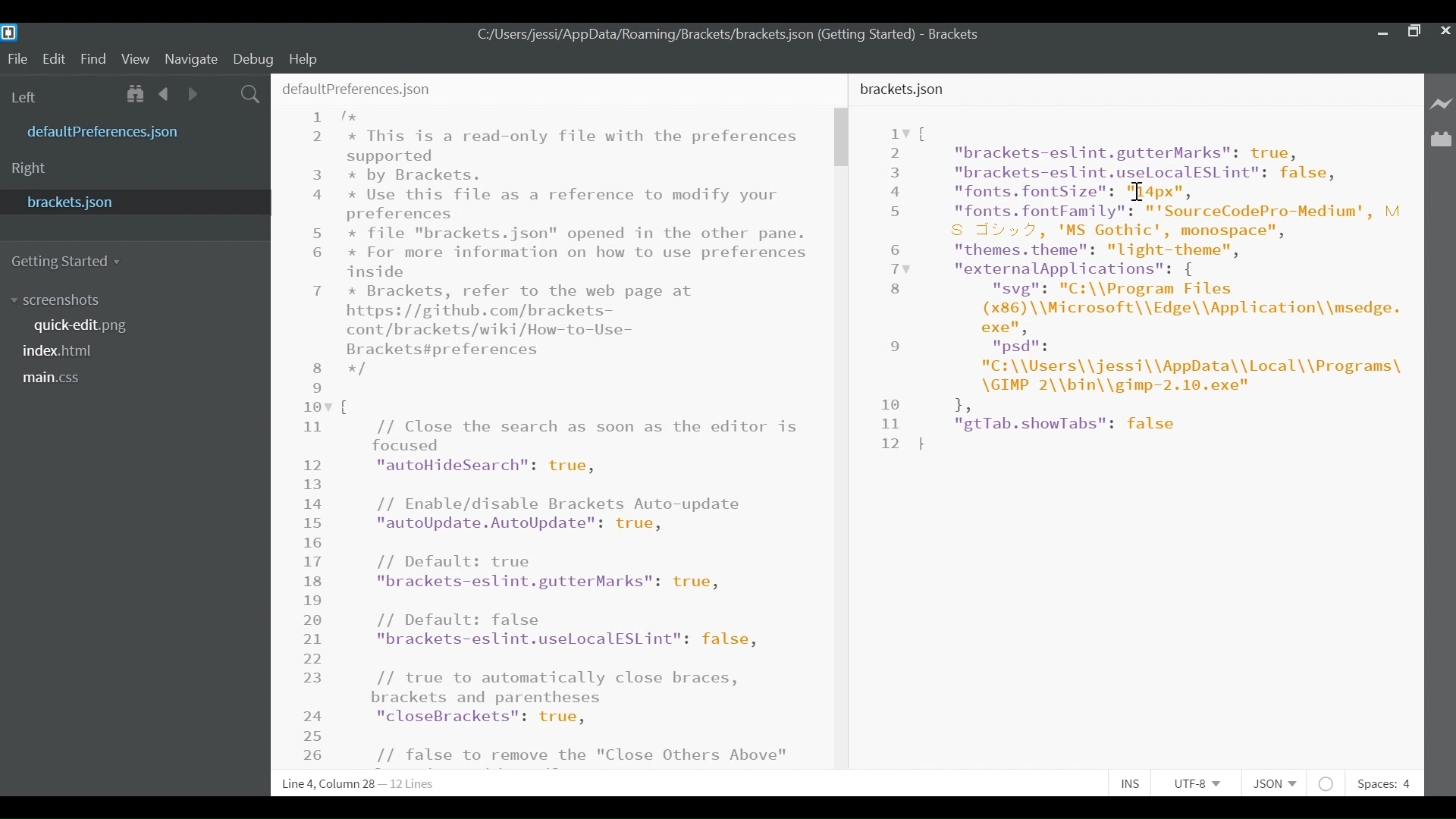 This screenshot has width=1456, height=819. Describe the element at coordinates (1203, 783) in the screenshot. I see `UTF -8` at that location.